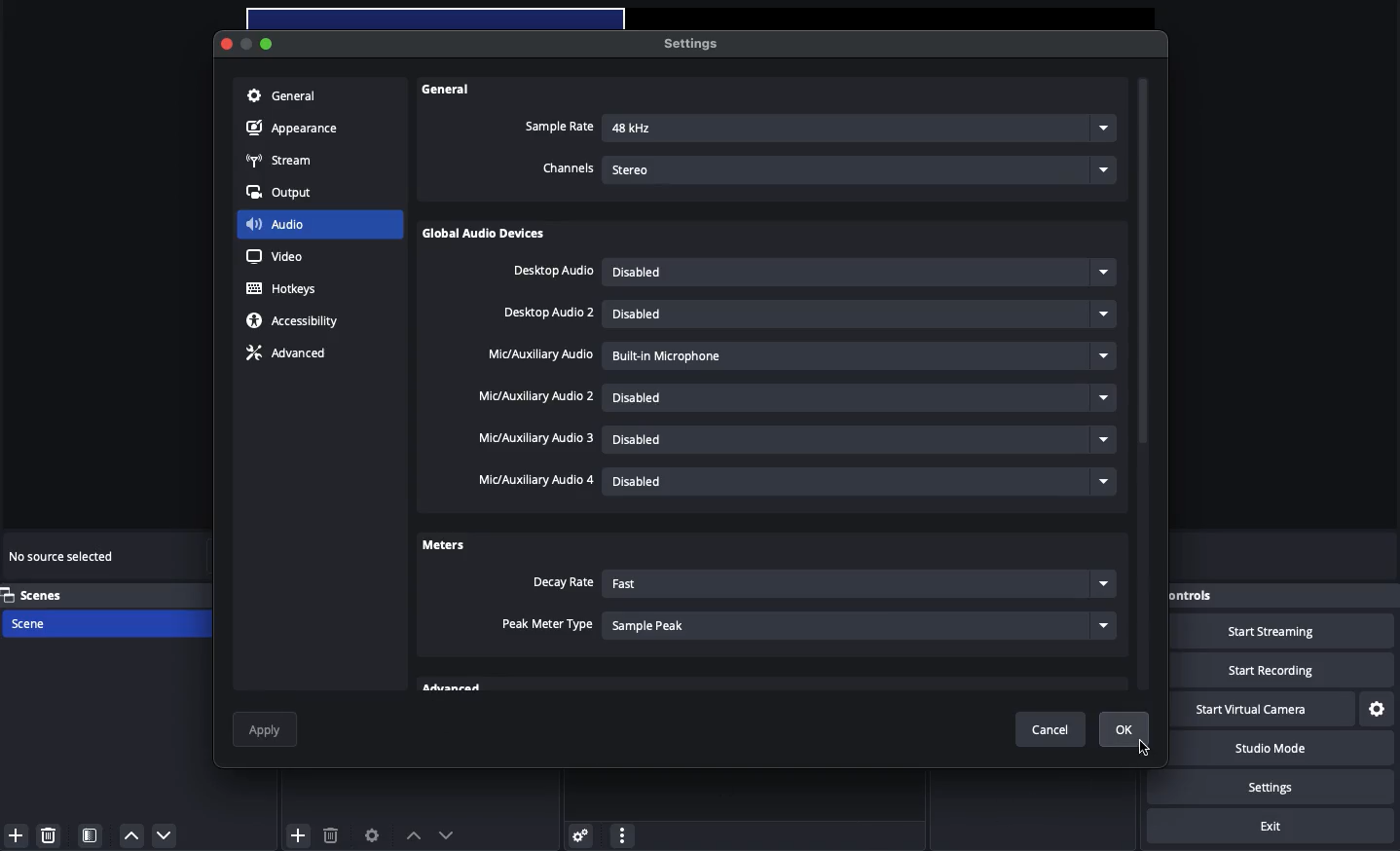  I want to click on Studio mode, so click(1283, 751).